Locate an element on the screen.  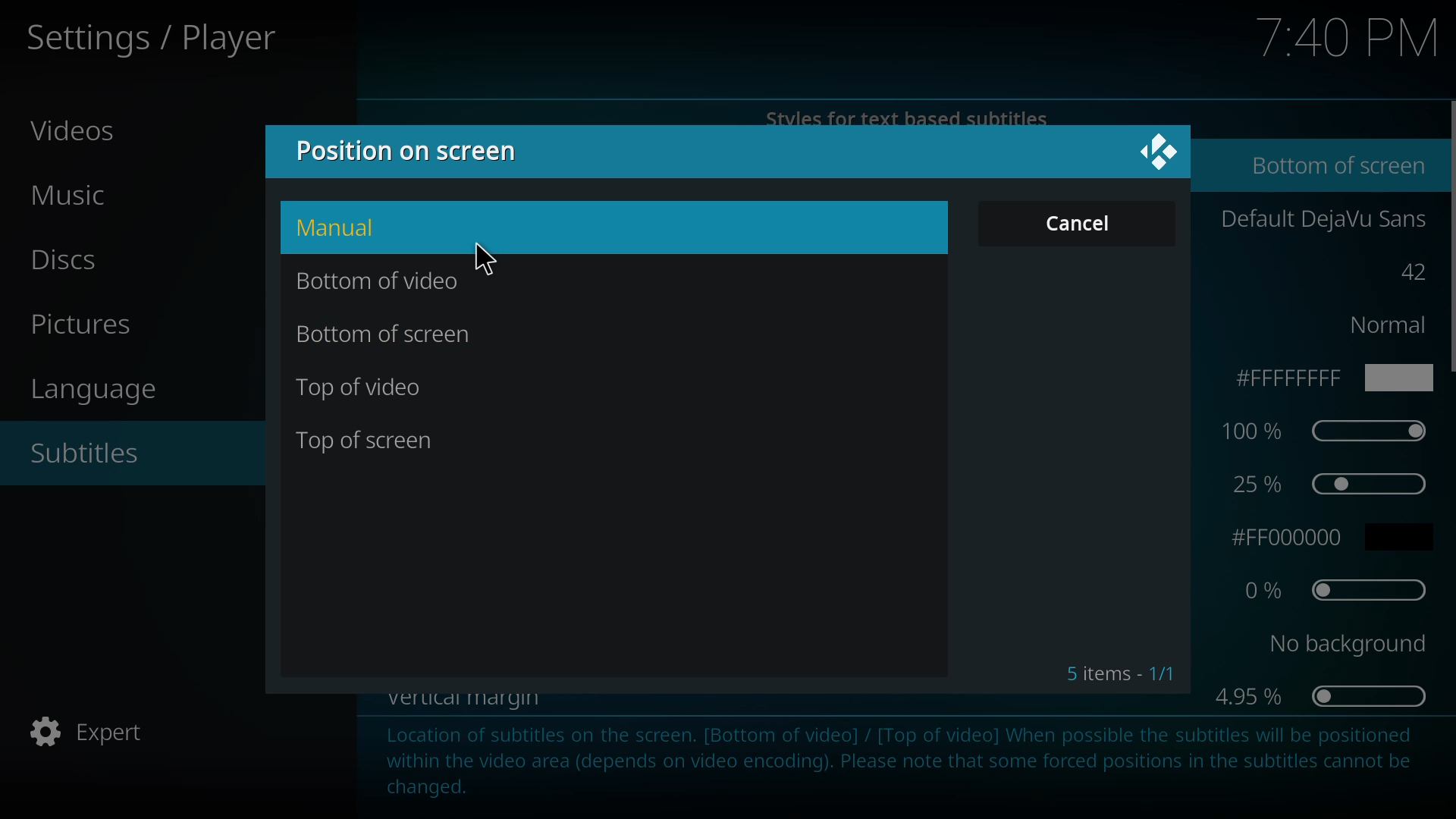
fff000 is located at coordinates (1339, 538).